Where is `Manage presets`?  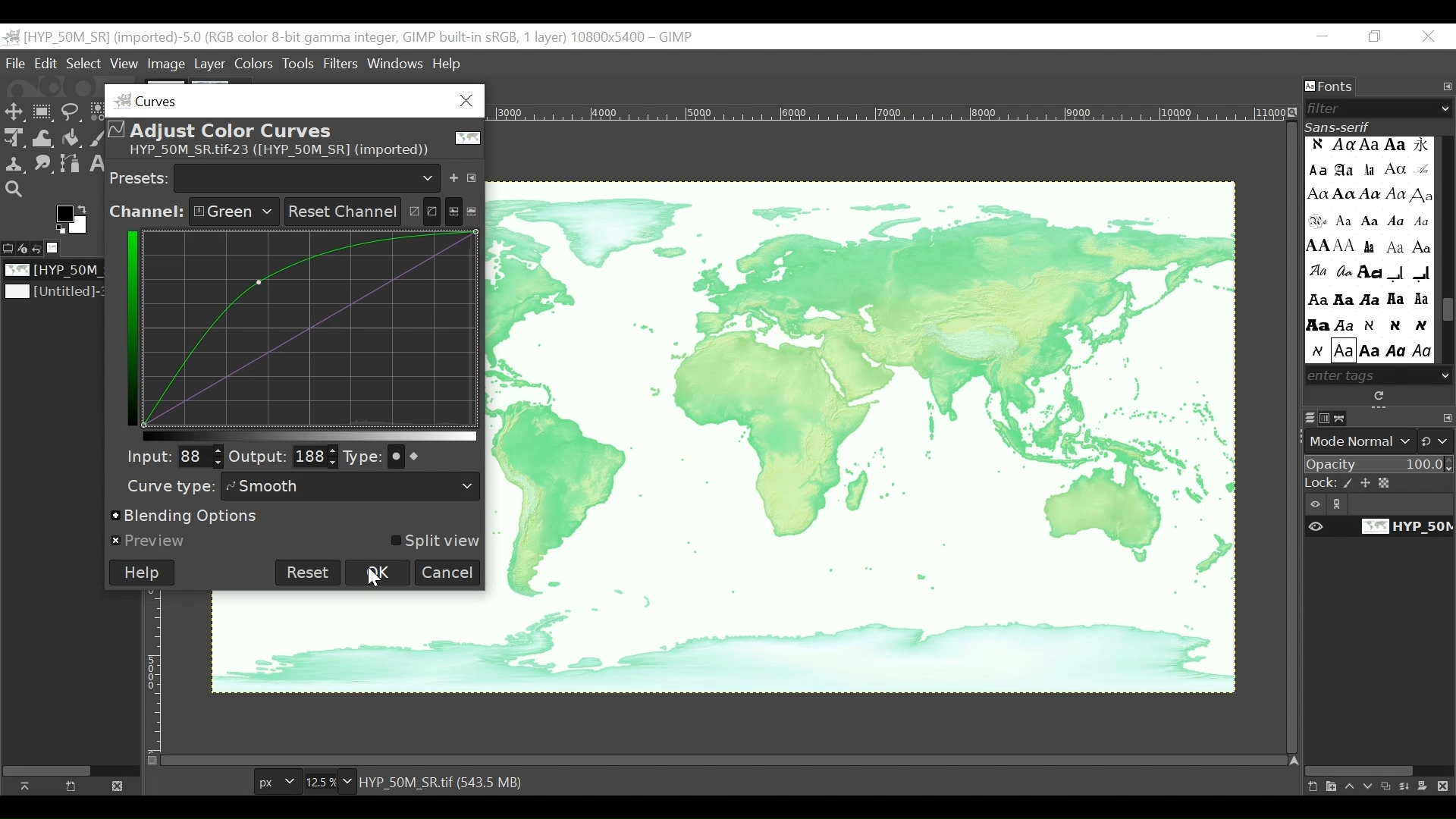 Manage presets is located at coordinates (475, 175).